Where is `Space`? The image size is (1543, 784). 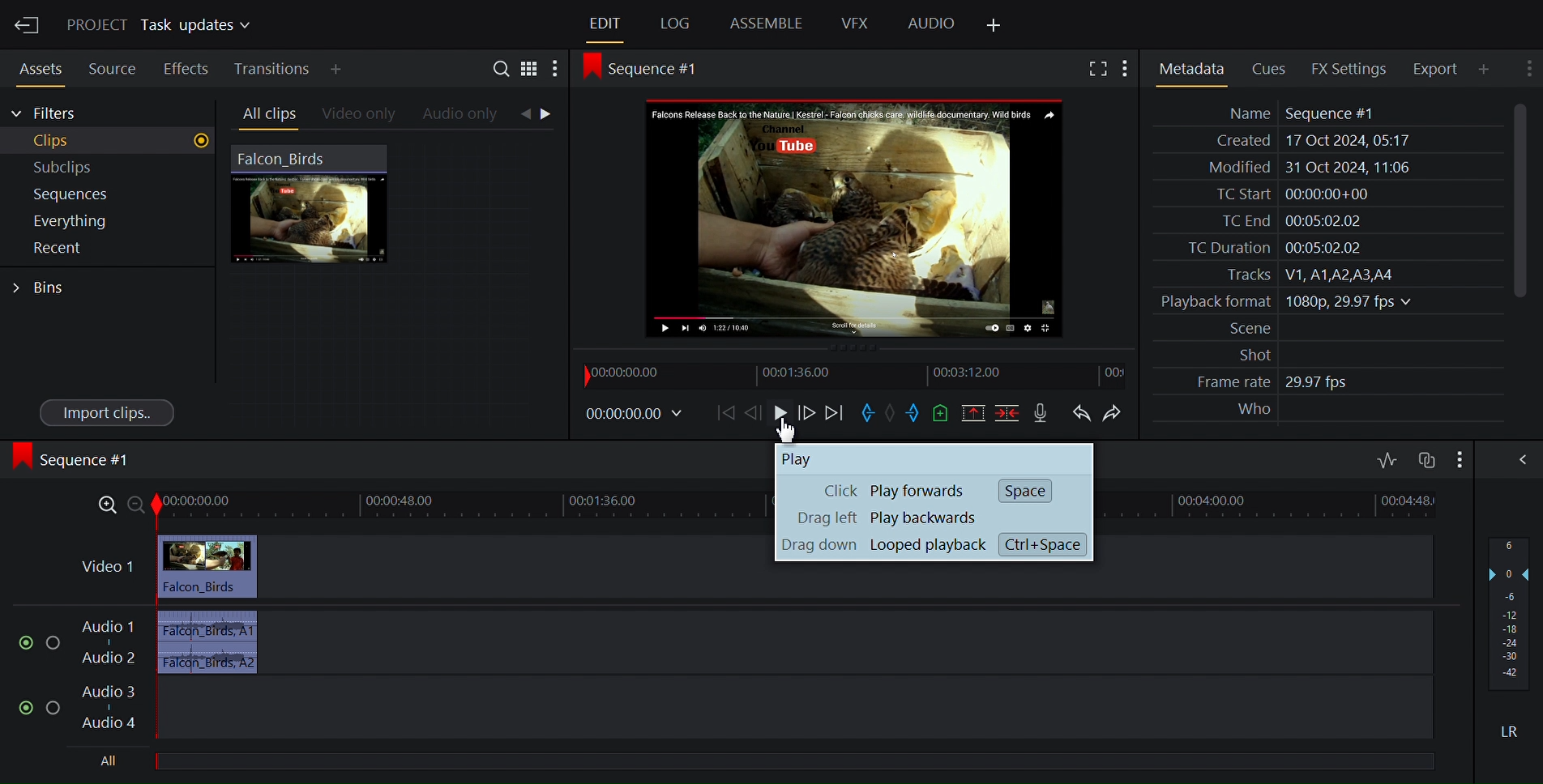 Space is located at coordinates (1024, 489).